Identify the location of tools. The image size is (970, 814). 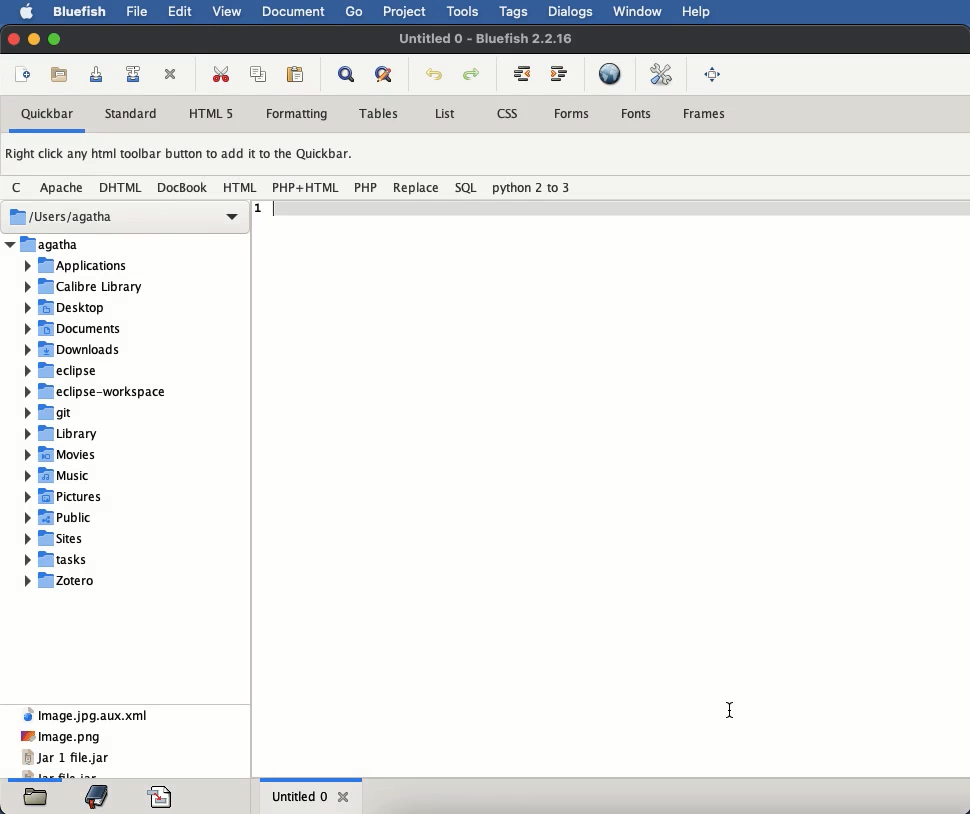
(464, 12).